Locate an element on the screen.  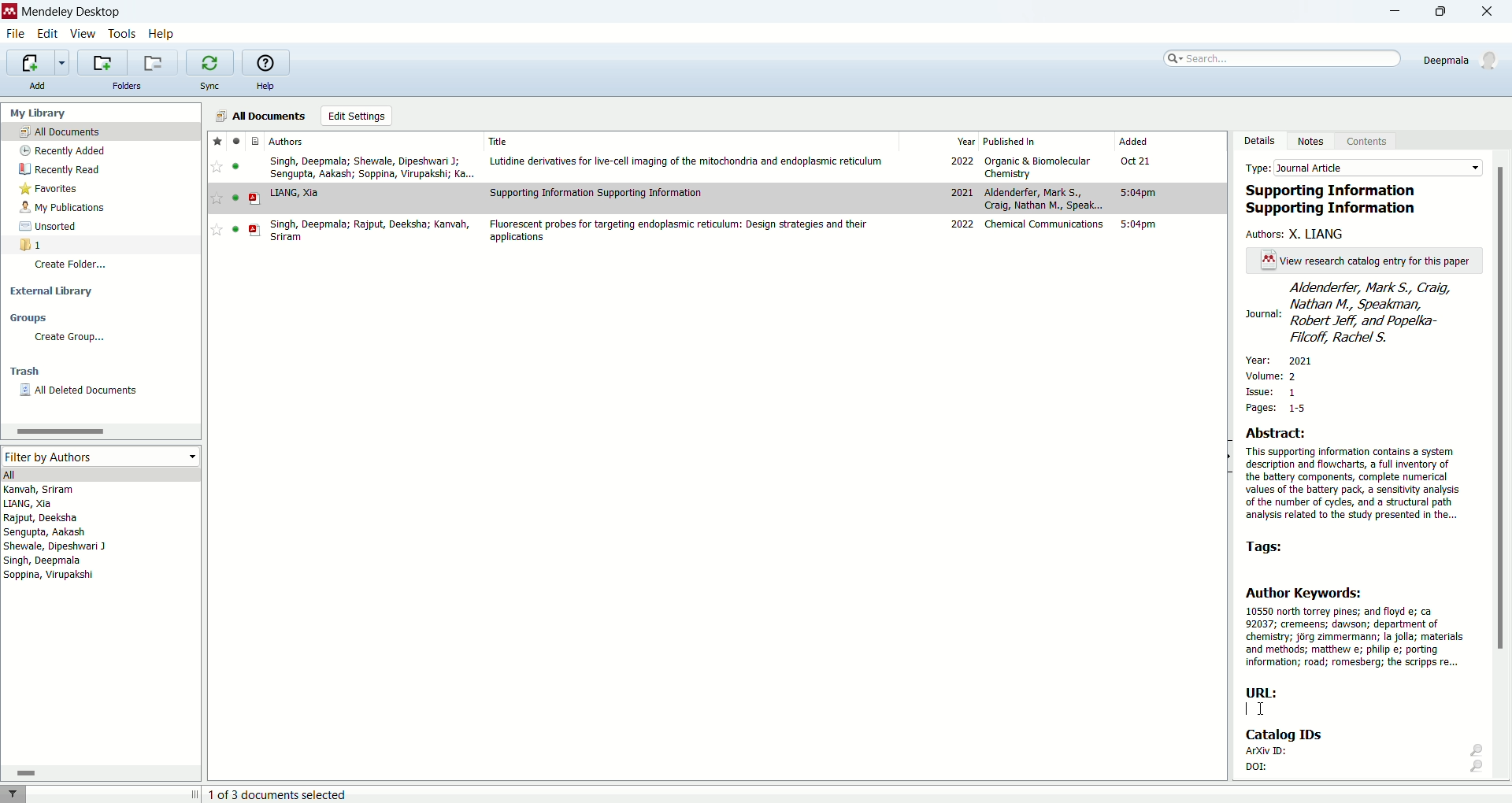
all deleted documents is located at coordinates (87, 391).